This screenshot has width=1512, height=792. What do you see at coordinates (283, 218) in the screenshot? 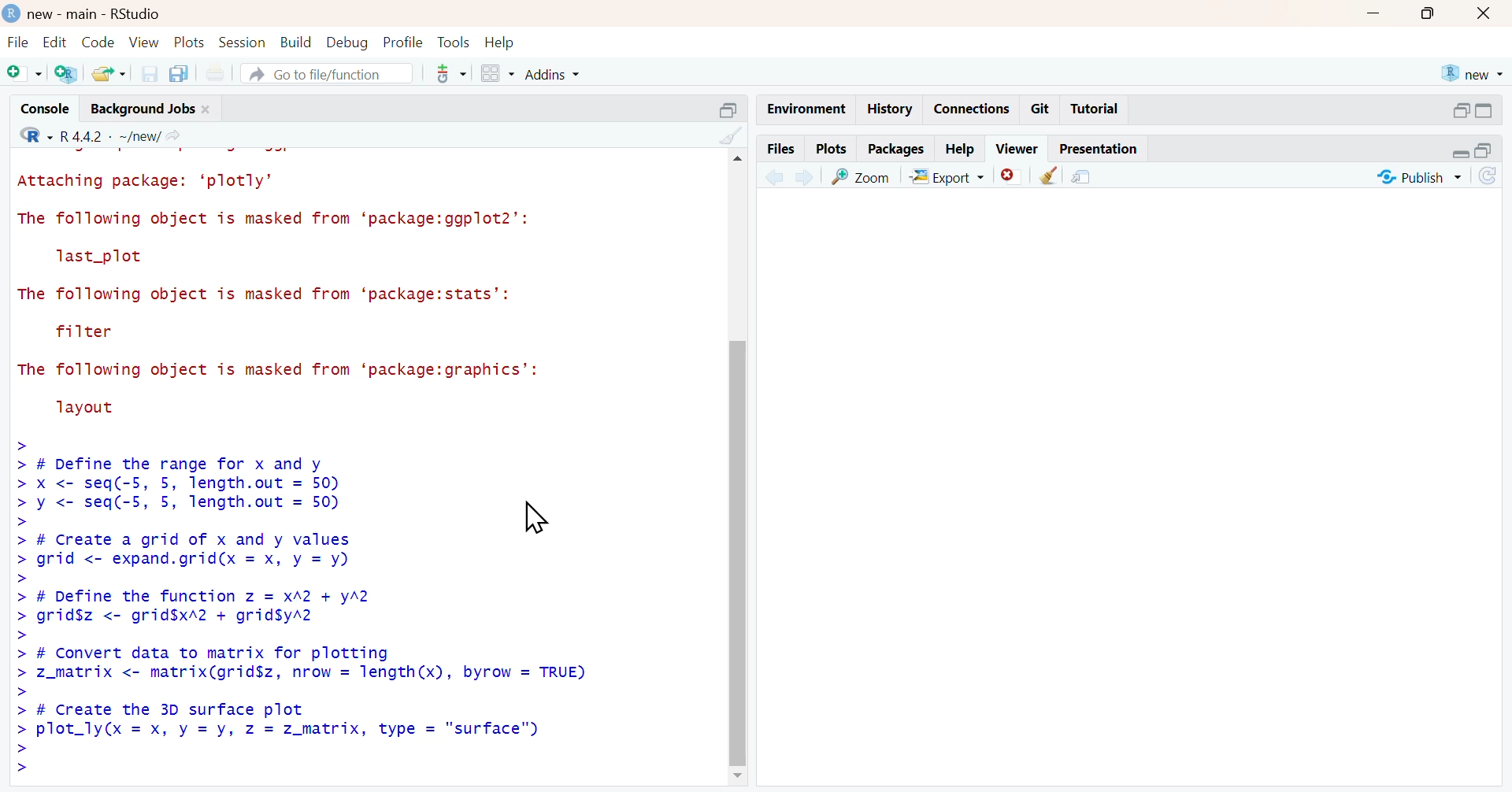
I see `The following object is masked from ‘package:ggplot2’:` at bounding box center [283, 218].